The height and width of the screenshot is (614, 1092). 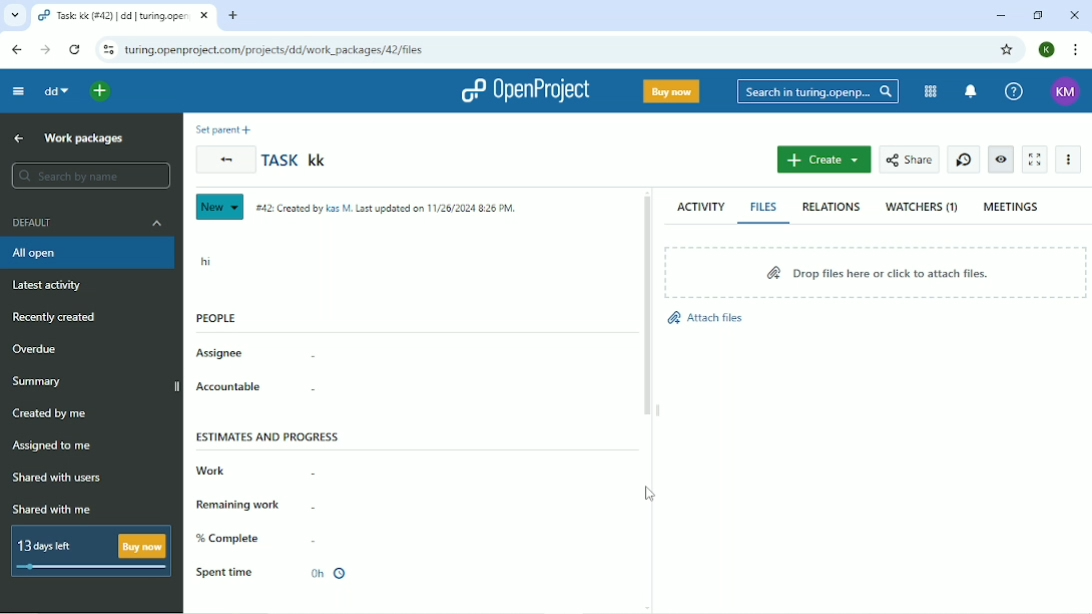 I want to click on Bookmark this tab, so click(x=1007, y=50).